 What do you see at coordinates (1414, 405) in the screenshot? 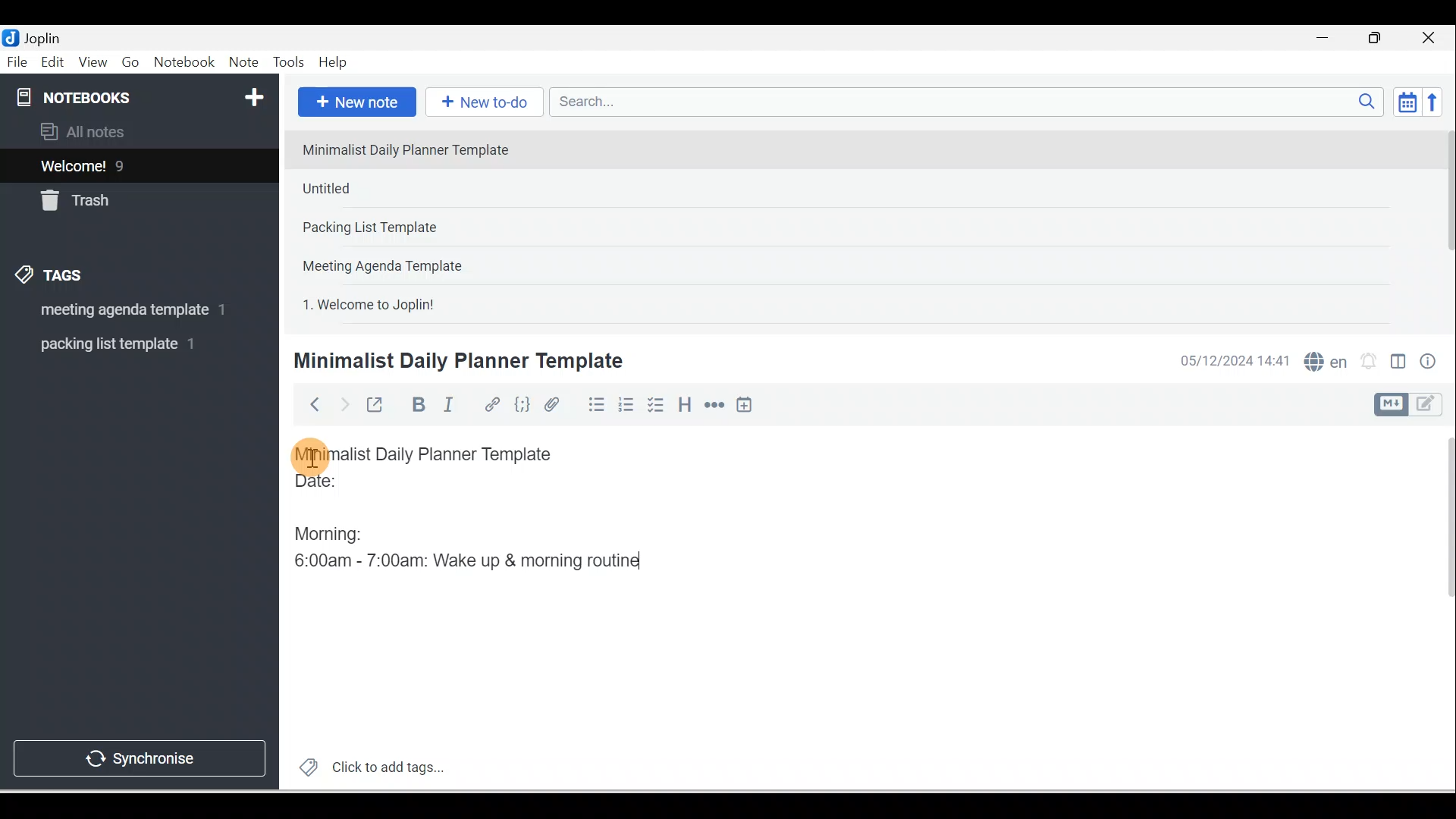
I see `Toggle editor layout` at bounding box center [1414, 405].